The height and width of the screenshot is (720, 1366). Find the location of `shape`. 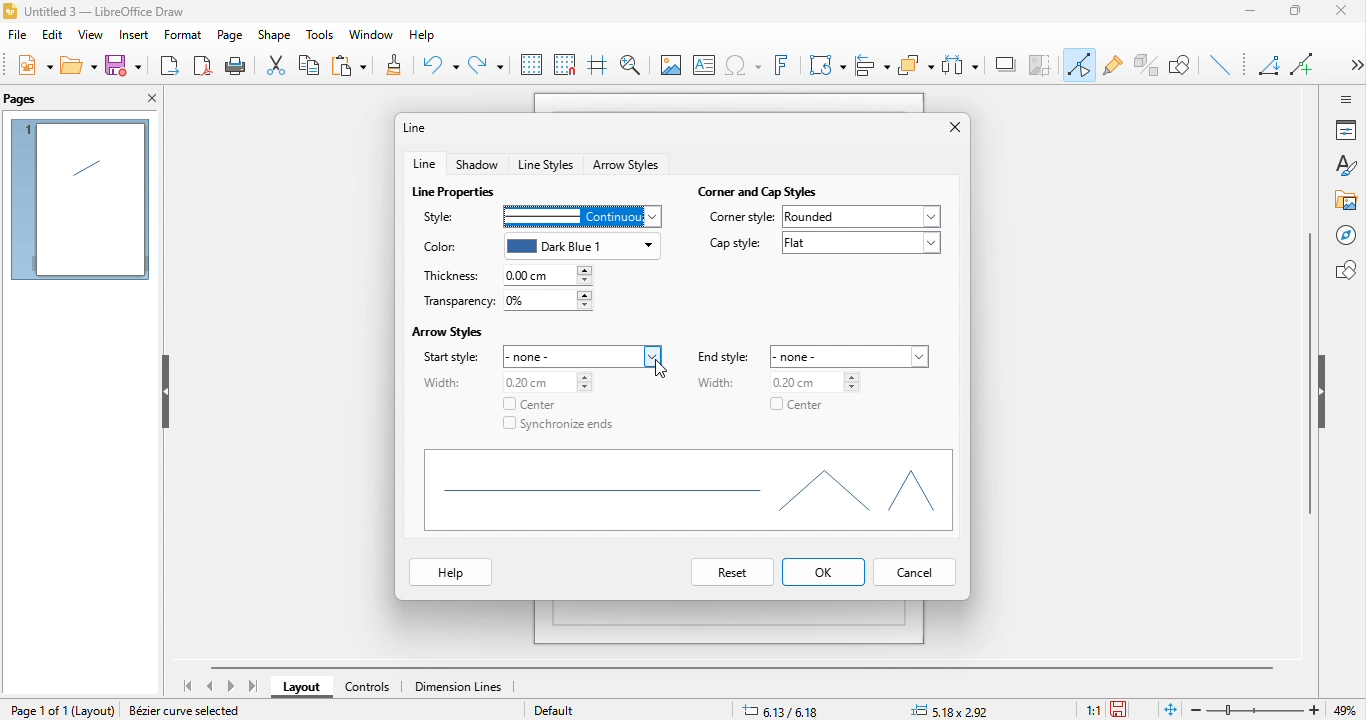

shape is located at coordinates (275, 36).